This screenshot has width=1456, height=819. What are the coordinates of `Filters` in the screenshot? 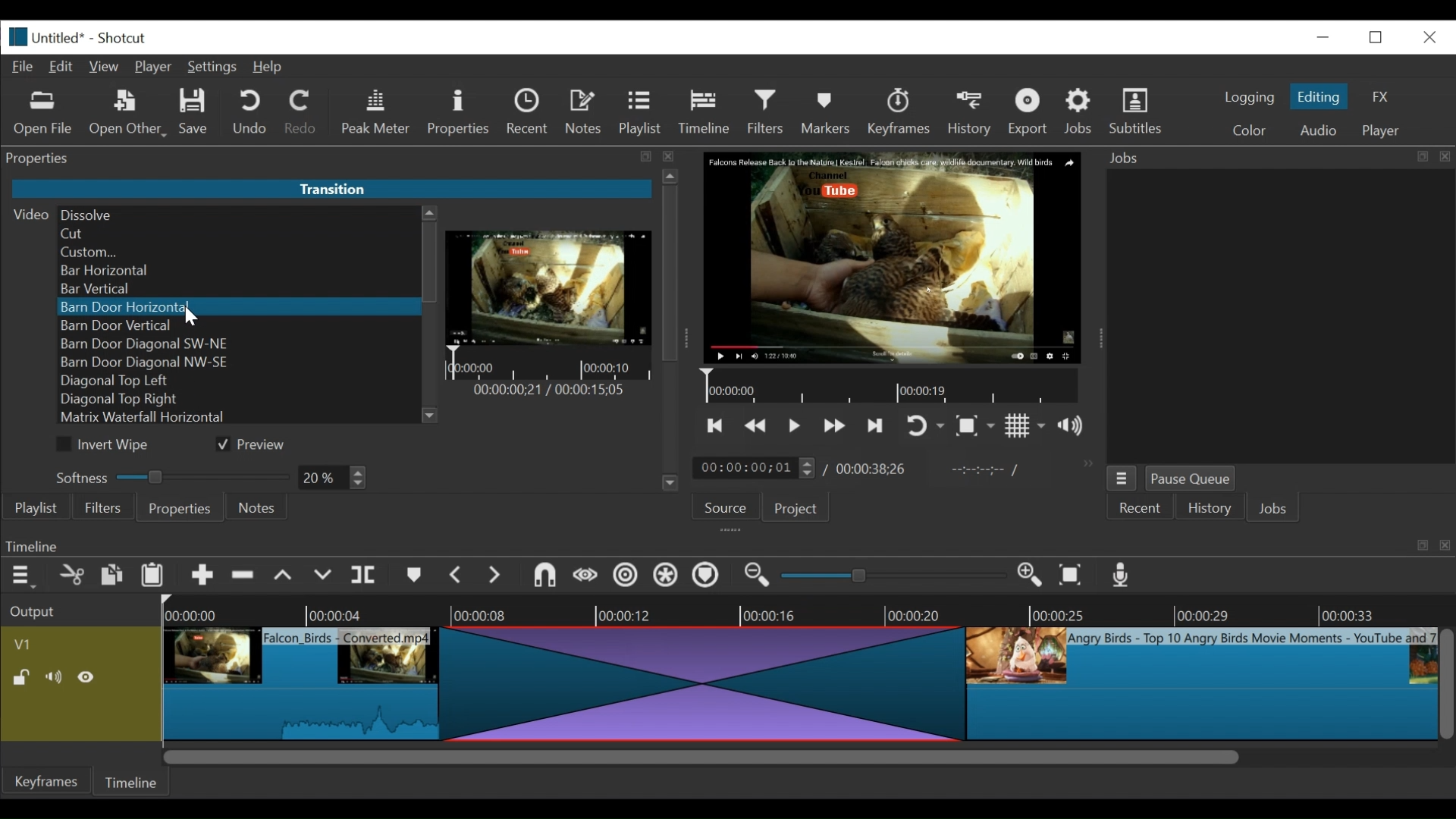 It's located at (770, 112).